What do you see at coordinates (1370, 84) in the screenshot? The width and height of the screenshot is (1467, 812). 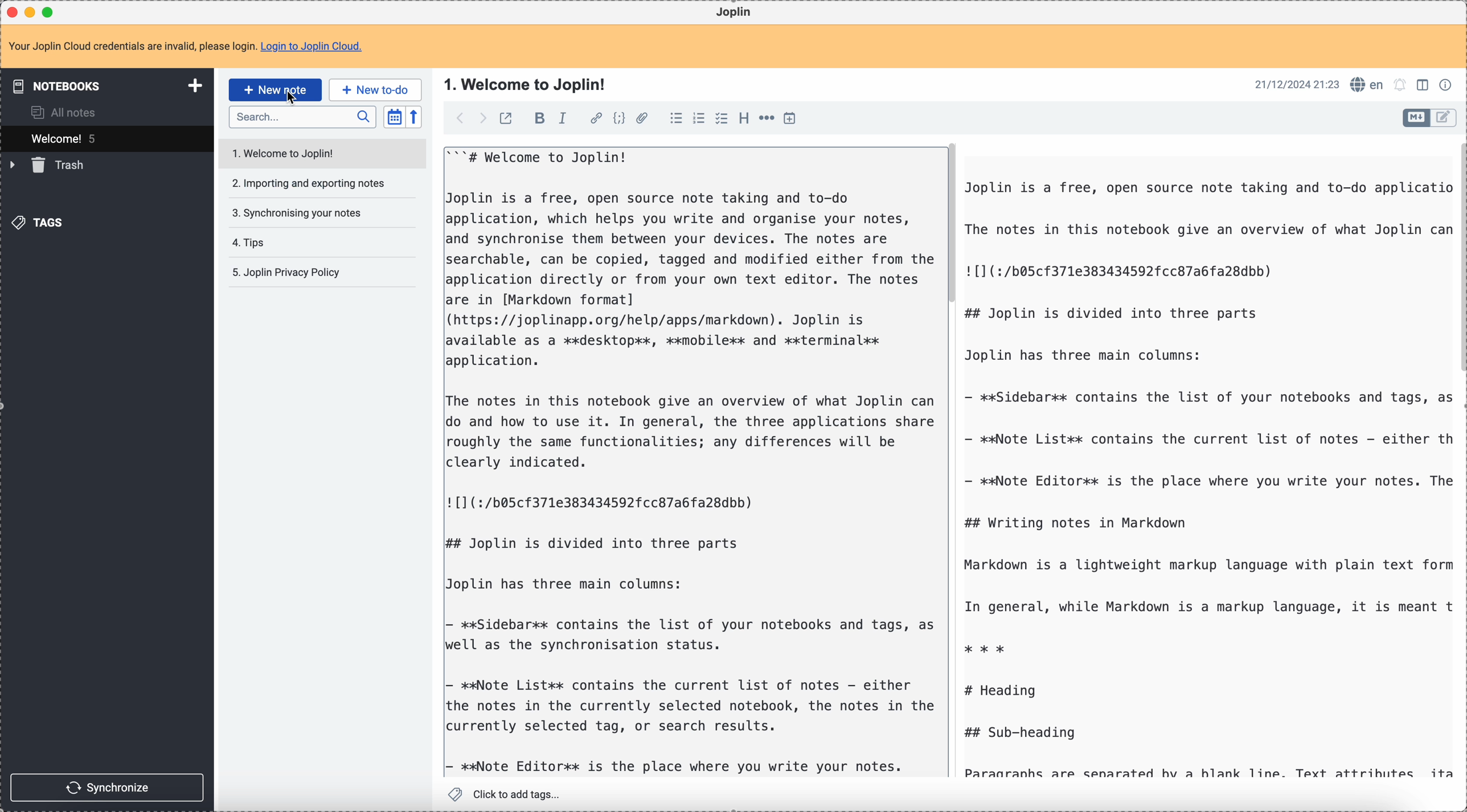 I see `spell checker` at bounding box center [1370, 84].